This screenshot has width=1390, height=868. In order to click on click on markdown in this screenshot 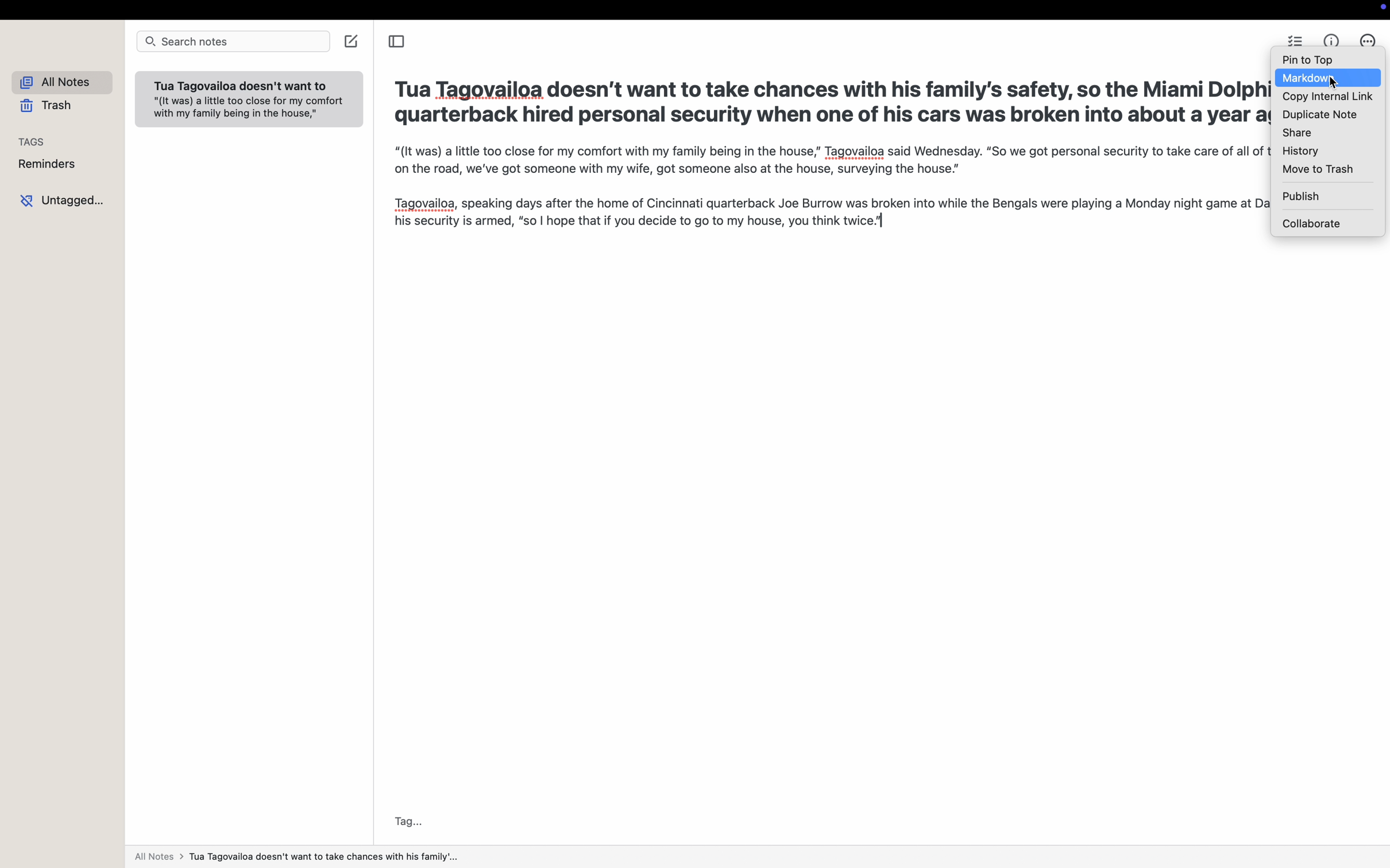, I will do `click(1303, 78)`.